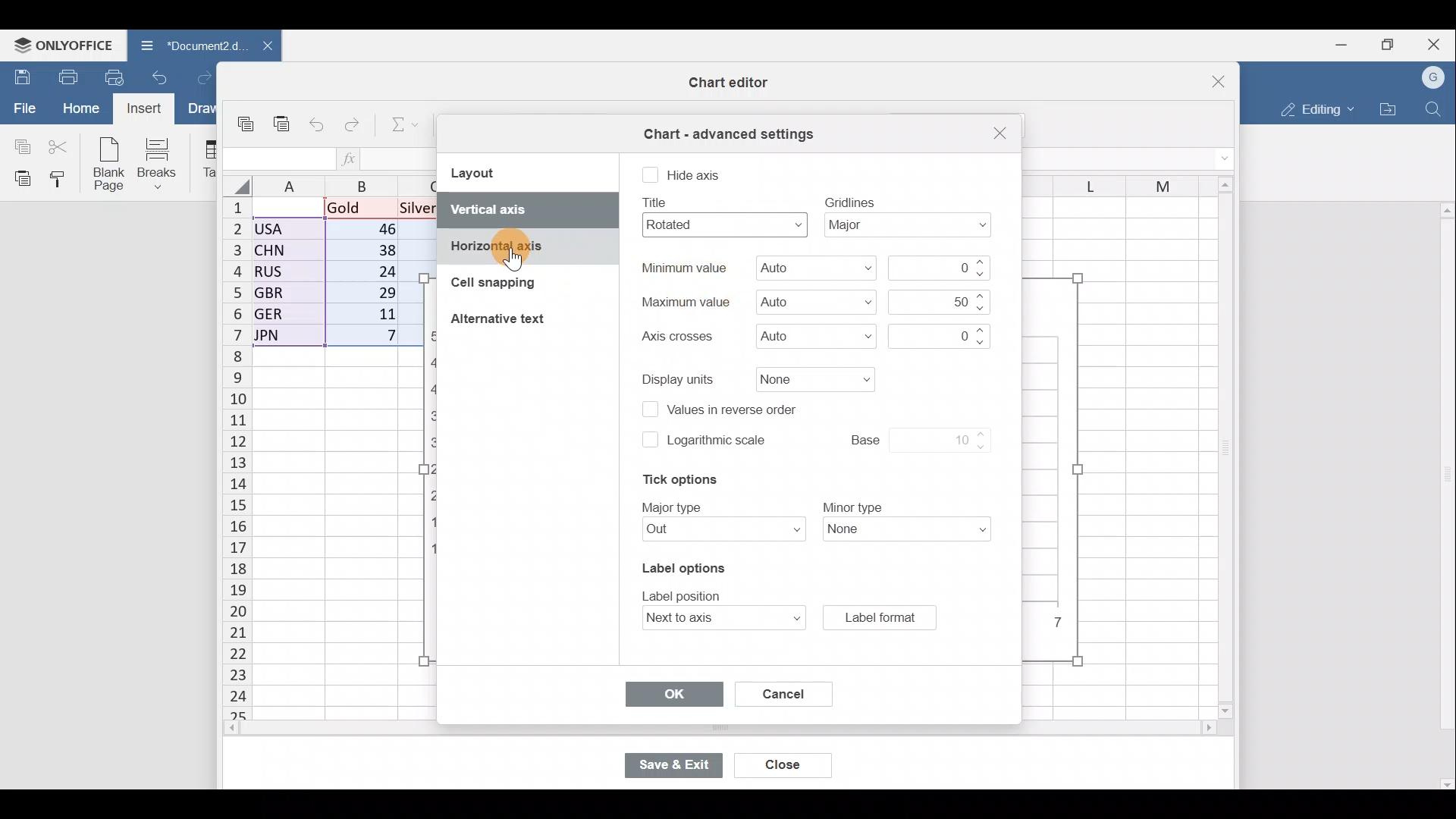 Image resolution: width=1456 pixels, height=819 pixels. What do you see at coordinates (718, 618) in the screenshot?
I see `Label position` at bounding box center [718, 618].